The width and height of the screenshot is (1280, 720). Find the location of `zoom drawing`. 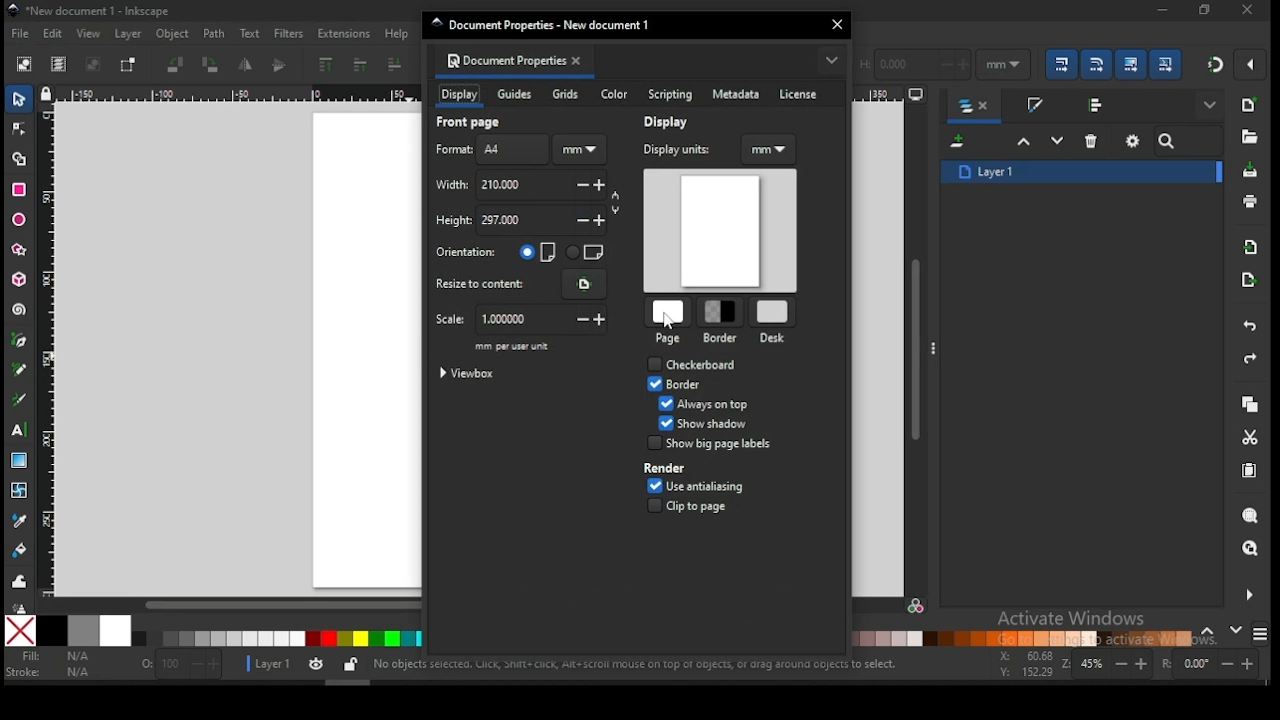

zoom drawing is located at coordinates (1251, 550).